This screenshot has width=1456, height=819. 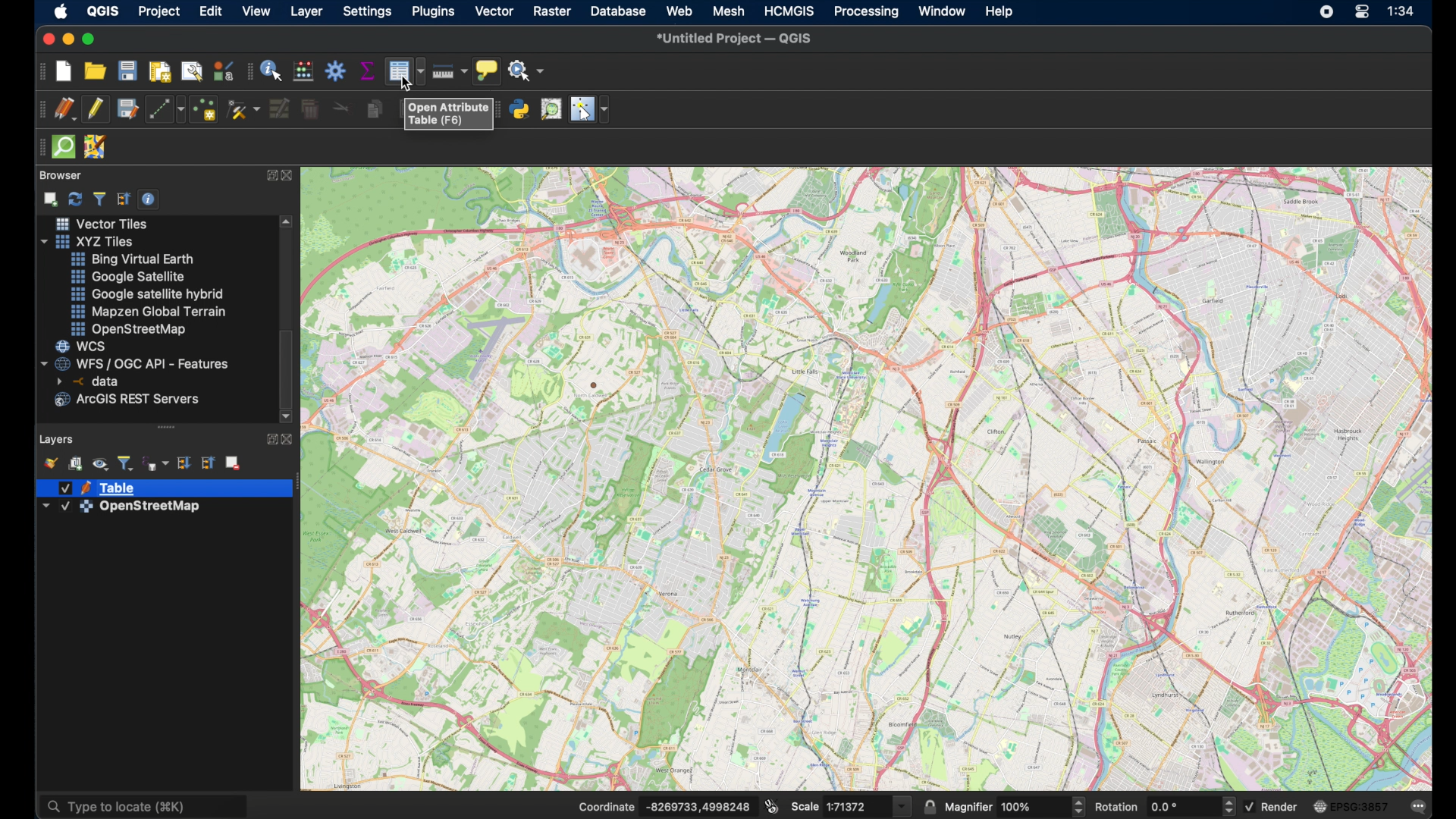 I want to click on vertex tool, so click(x=243, y=108).